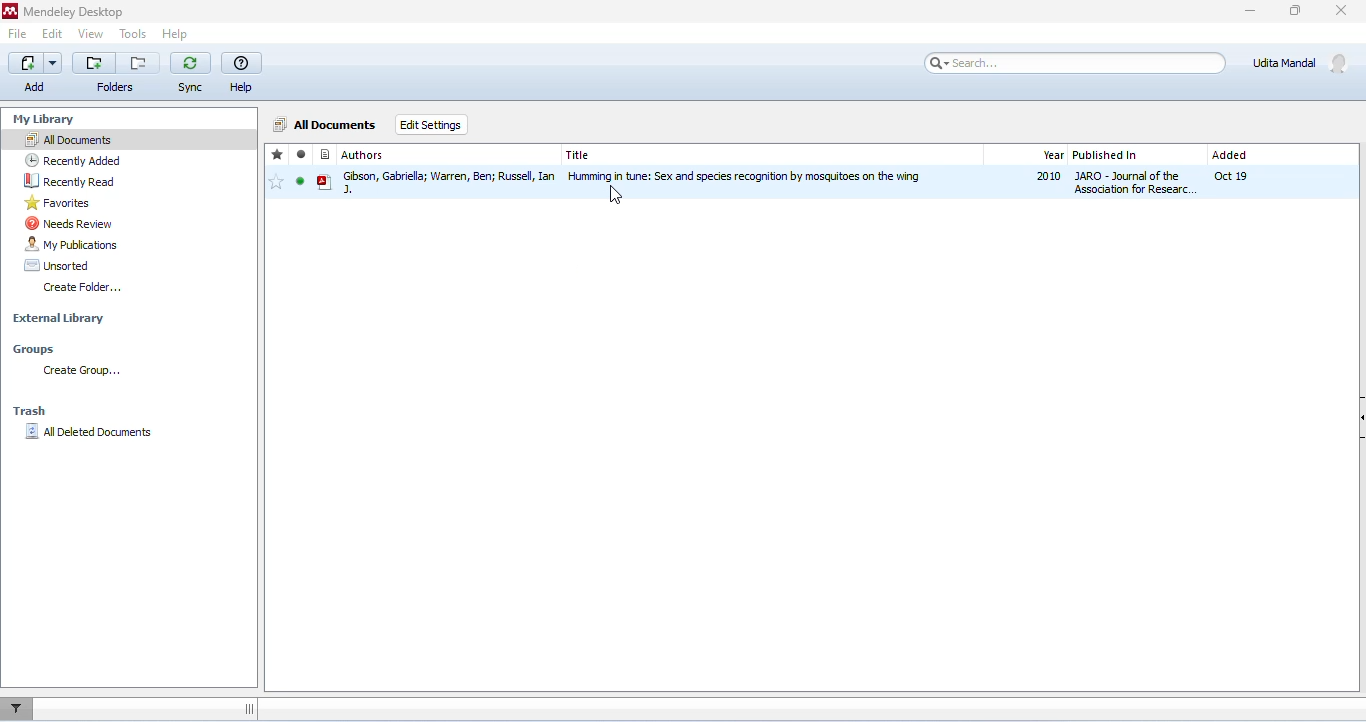 This screenshot has height=722, width=1366. Describe the element at coordinates (324, 124) in the screenshot. I see `all documents` at that location.